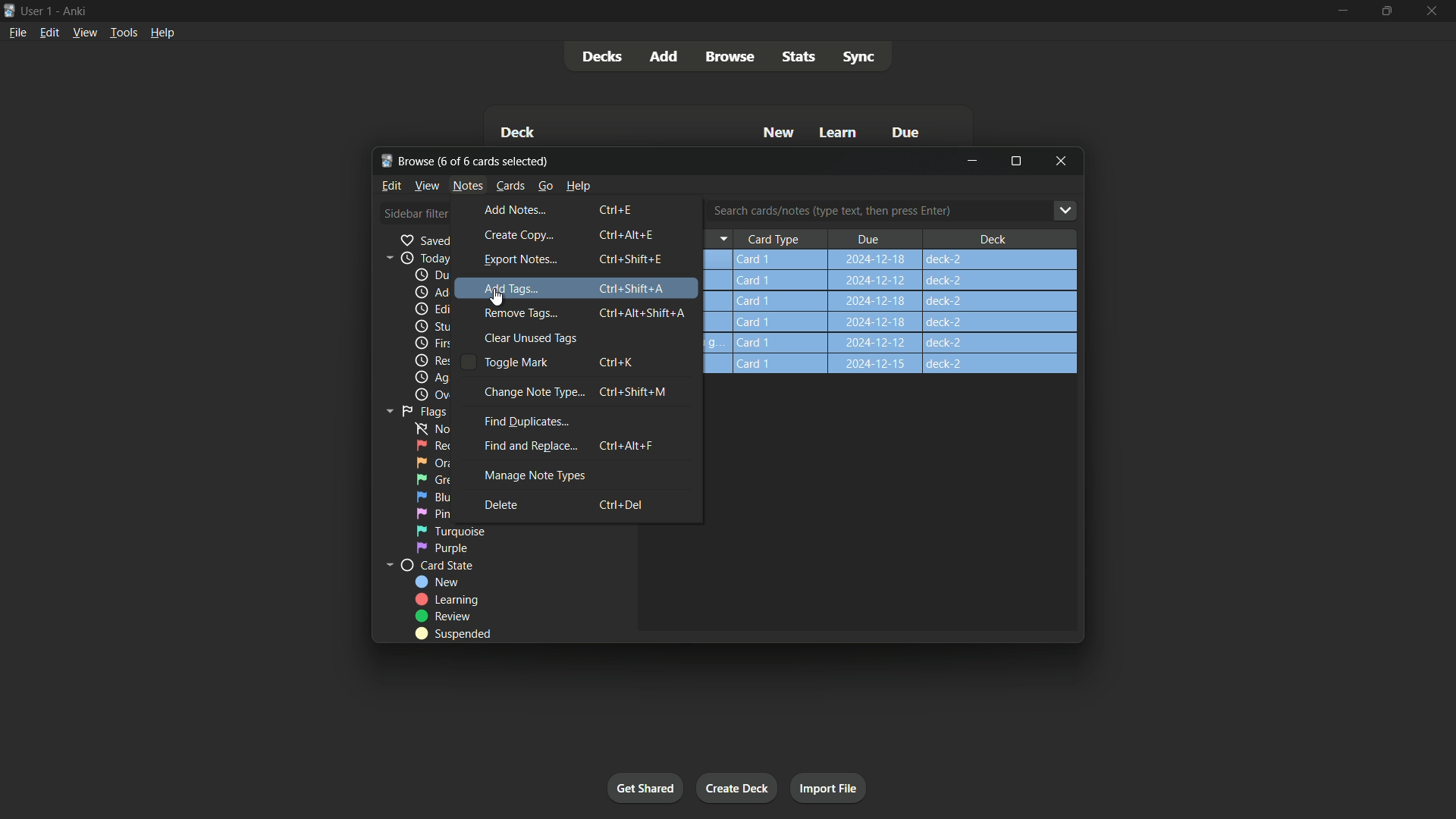 This screenshot has height=819, width=1456. What do you see at coordinates (729, 56) in the screenshot?
I see `Browse` at bounding box center [729, 56].